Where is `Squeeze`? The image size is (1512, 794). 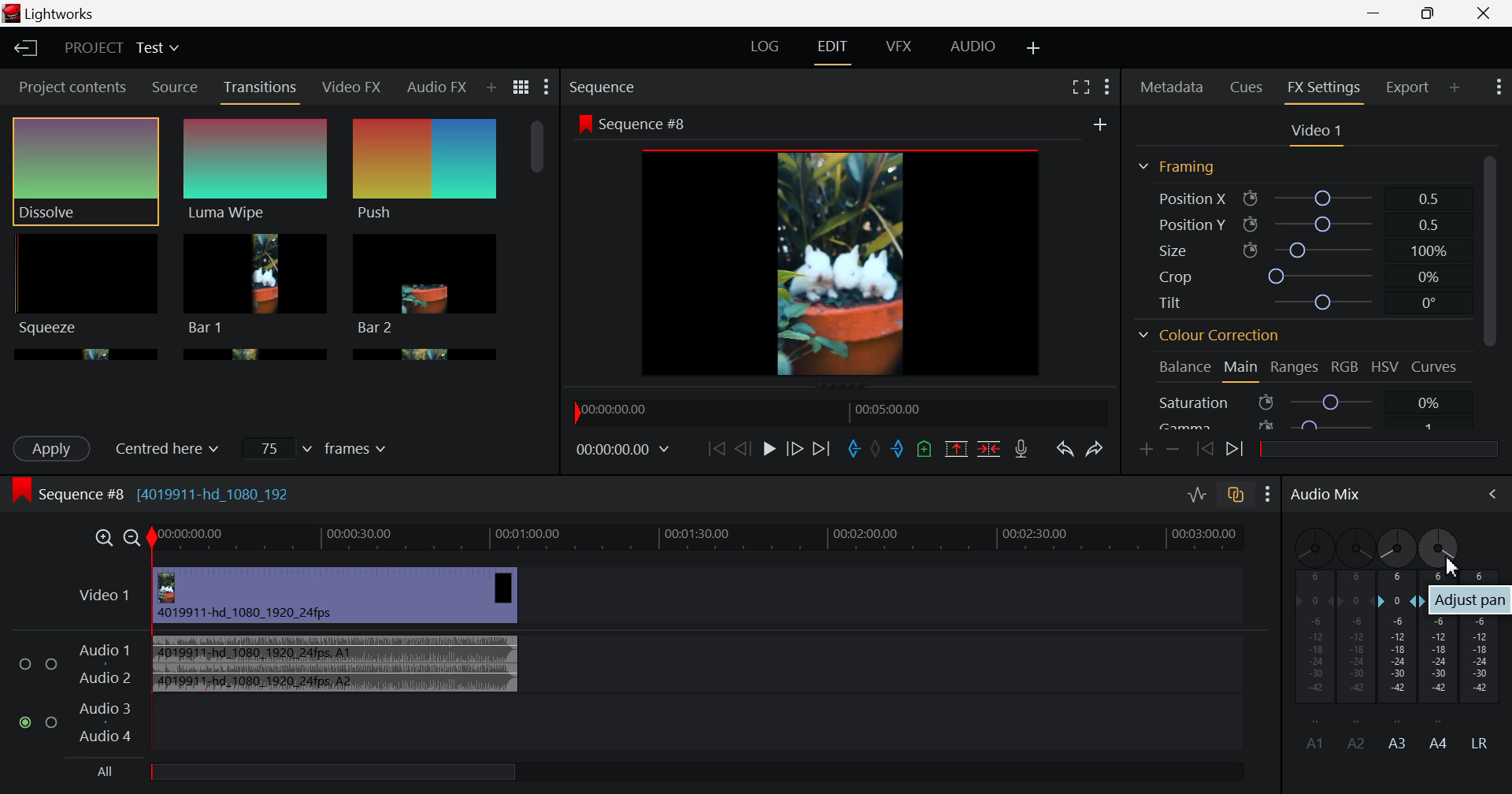 Squeeze is located at coordinates (84, 284).